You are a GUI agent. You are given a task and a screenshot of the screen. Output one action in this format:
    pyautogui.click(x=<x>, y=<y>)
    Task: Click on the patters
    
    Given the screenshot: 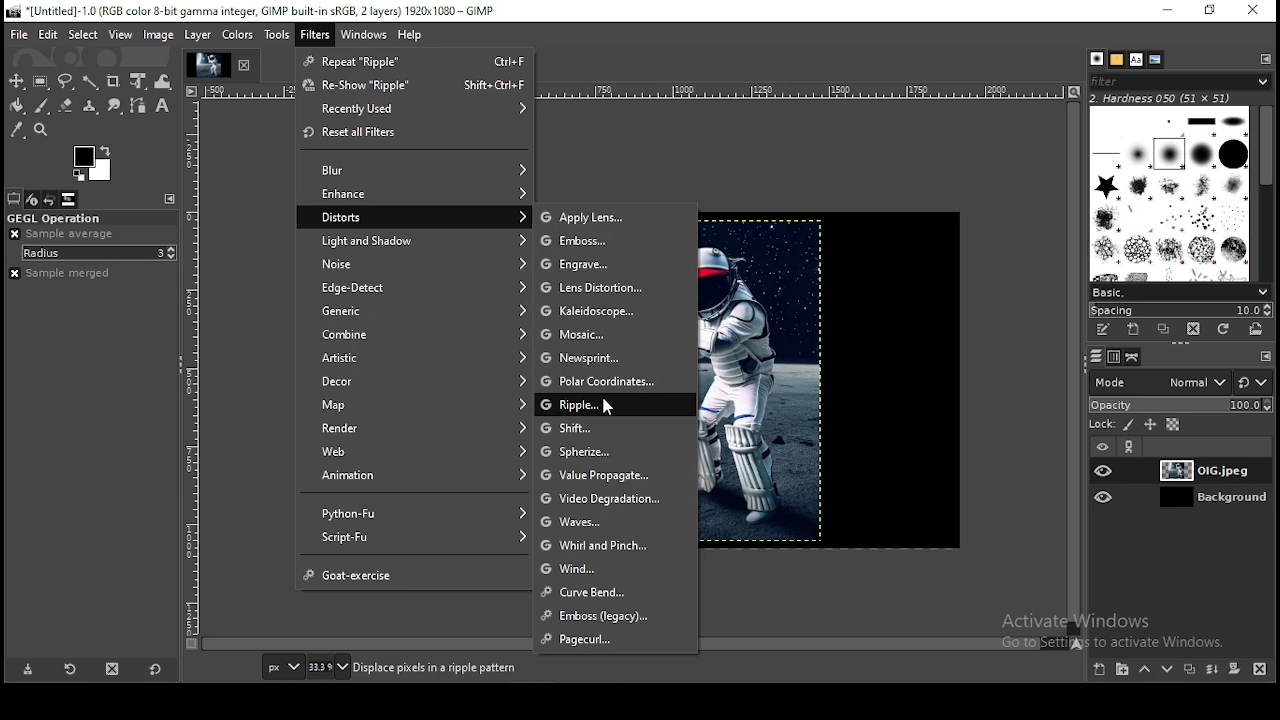 What is the action you would take?
    pyautogui.click(x=1117, y=60)
    